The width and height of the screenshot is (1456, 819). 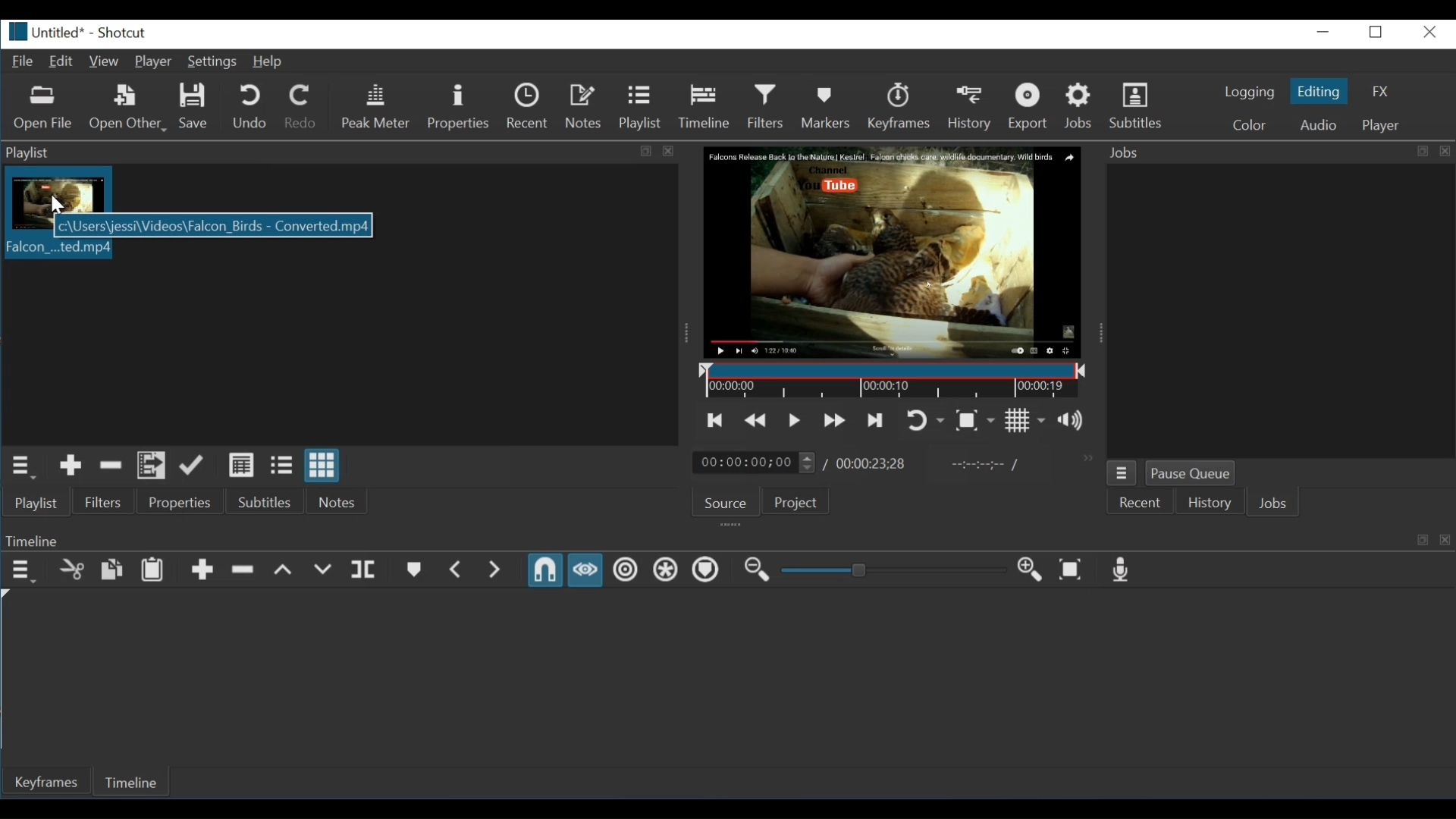 I want to click on Close, so click(x=1427, y=32).